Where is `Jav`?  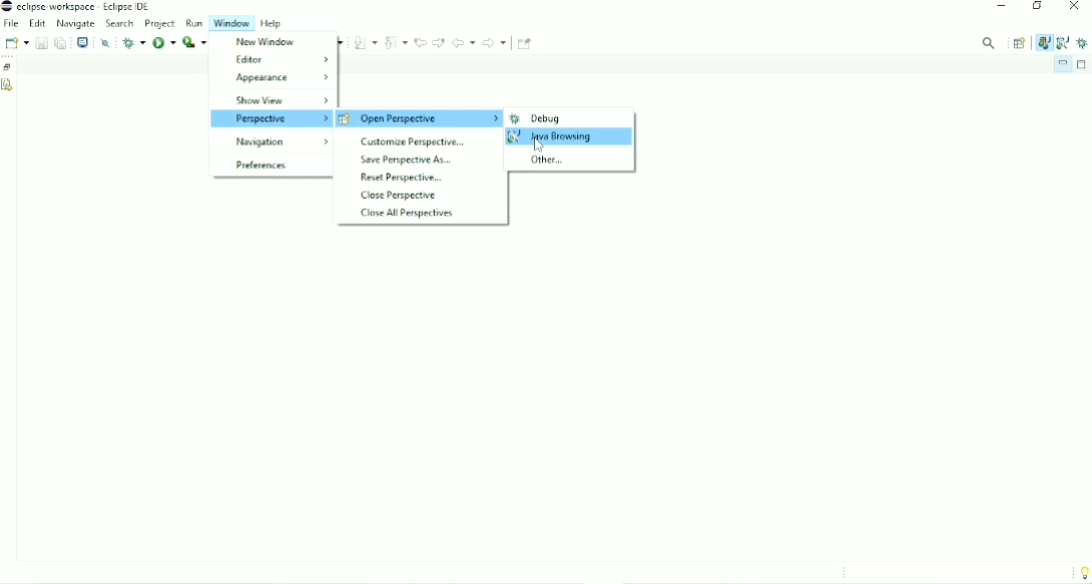
Jav is located at coordinates (1043, 44).